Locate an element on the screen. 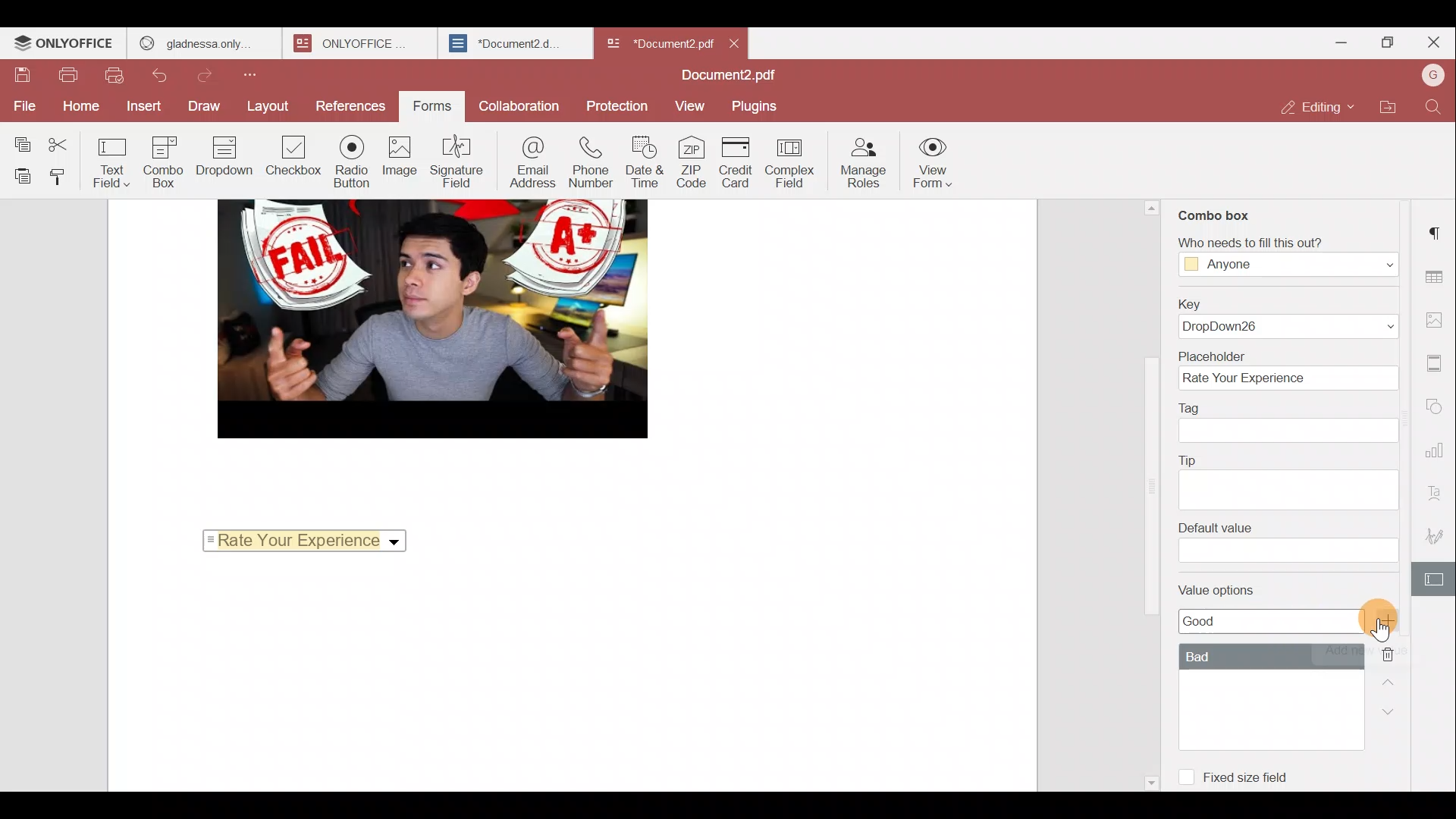 Image resolution: width=1456 pixels, height=819 pixels. Signature field is located at coordinates (457, 161).